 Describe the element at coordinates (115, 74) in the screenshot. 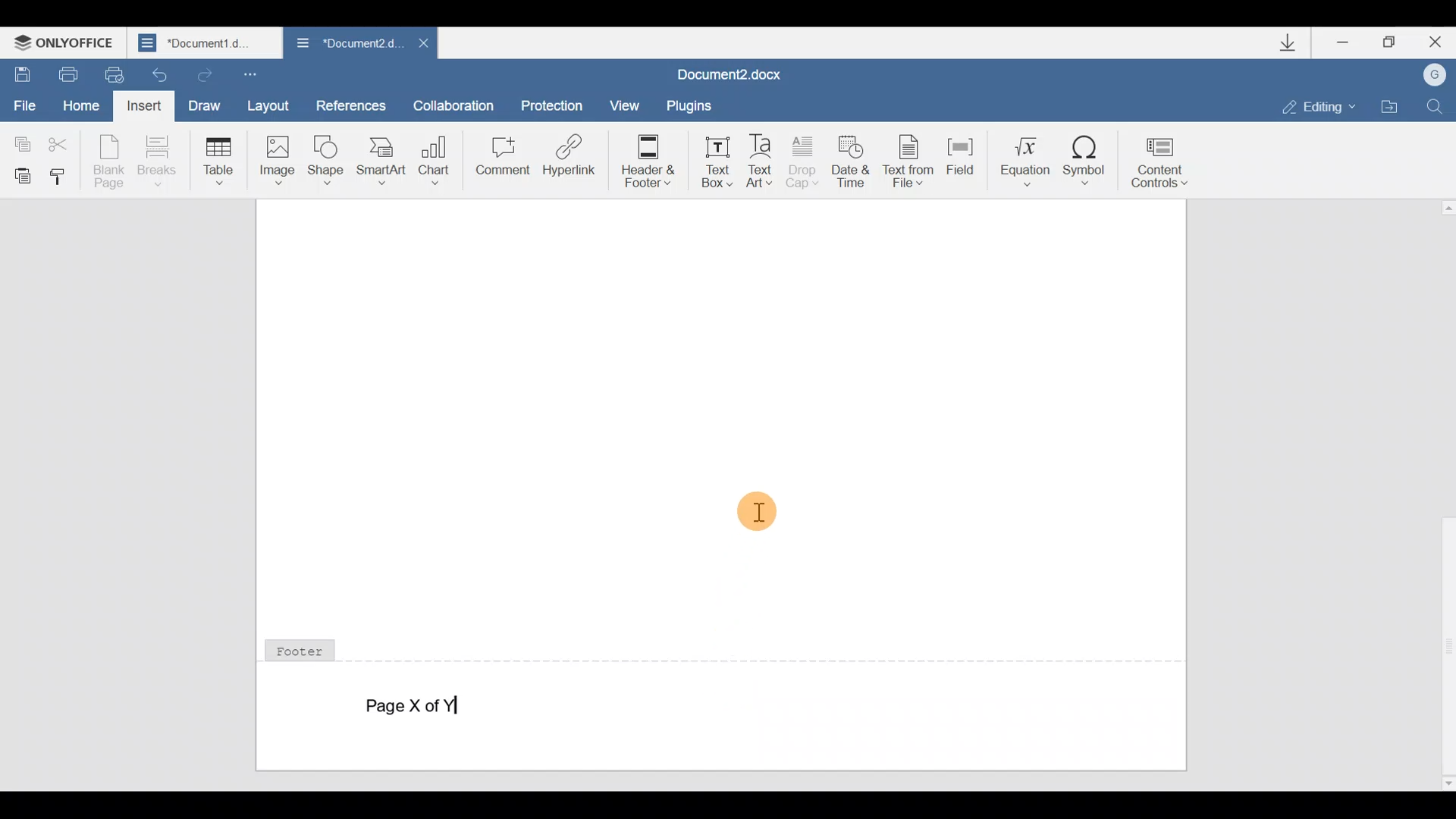

I see `Quick print` at that location.